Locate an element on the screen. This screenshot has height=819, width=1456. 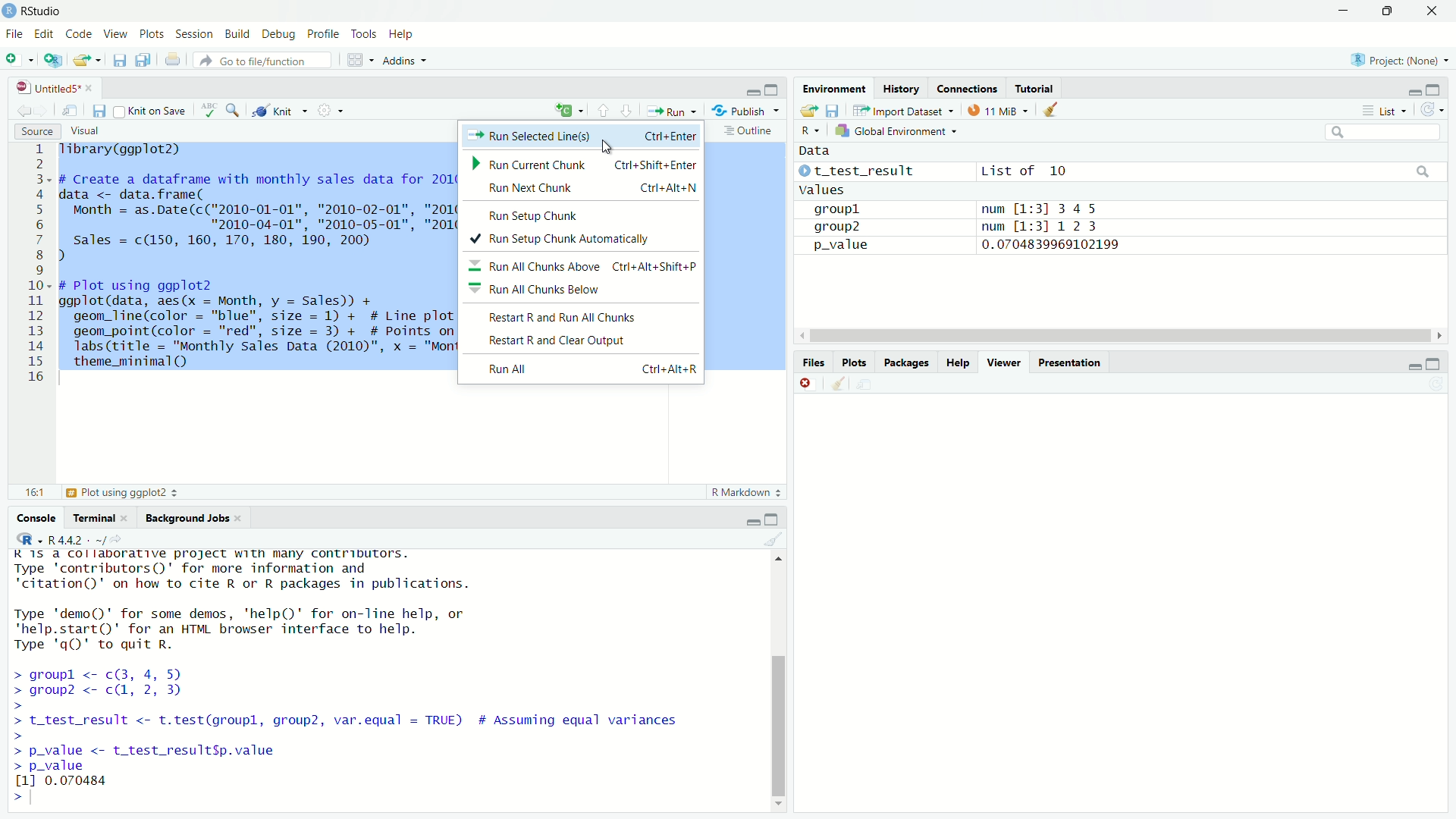
KIS. CT IEREELITT. FRpeEL BYR. Sy Shee TeeLie Ss
Type 'contributors()' for more information and

"citation()' on how to cite R or R packages in publications.

Type 'demo()' for some demos, 'help()' for on-Tine help, or

"help.start()' for an HTML browser interface to help.

Type 'q()' to quit R.

> groupl <- c(3, 4, 5)

> group? <- c, 2, 3)

>

> t_test_result <- t.test(groupl, group2, var.equal = TRUE) # Assuming equal variances
>

> p_value <- t_test_resultSp.value

> p_value

11 0.070484 is located at coordinates (355, 668).